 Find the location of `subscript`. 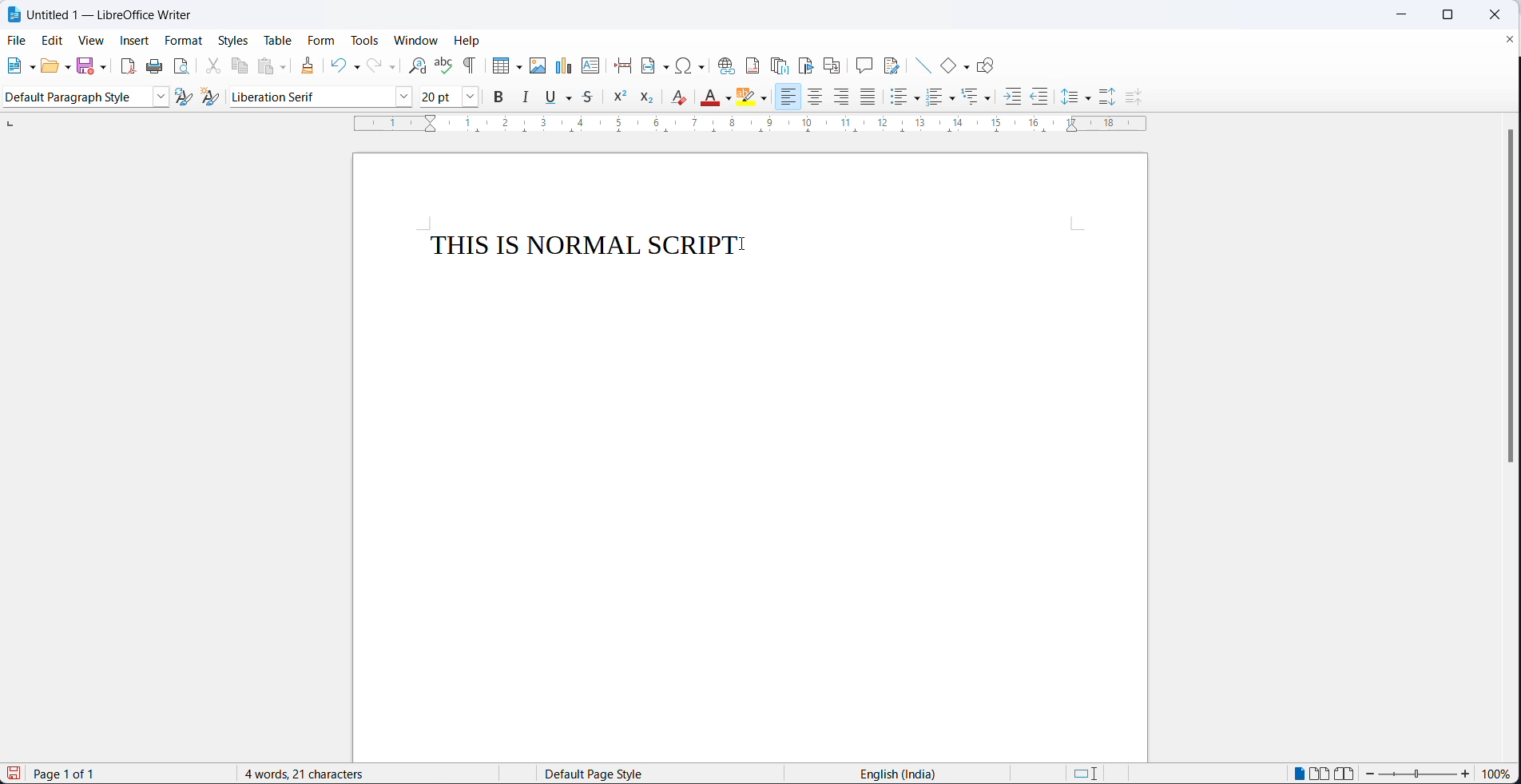

subscript is located at coordinates (652, 98).